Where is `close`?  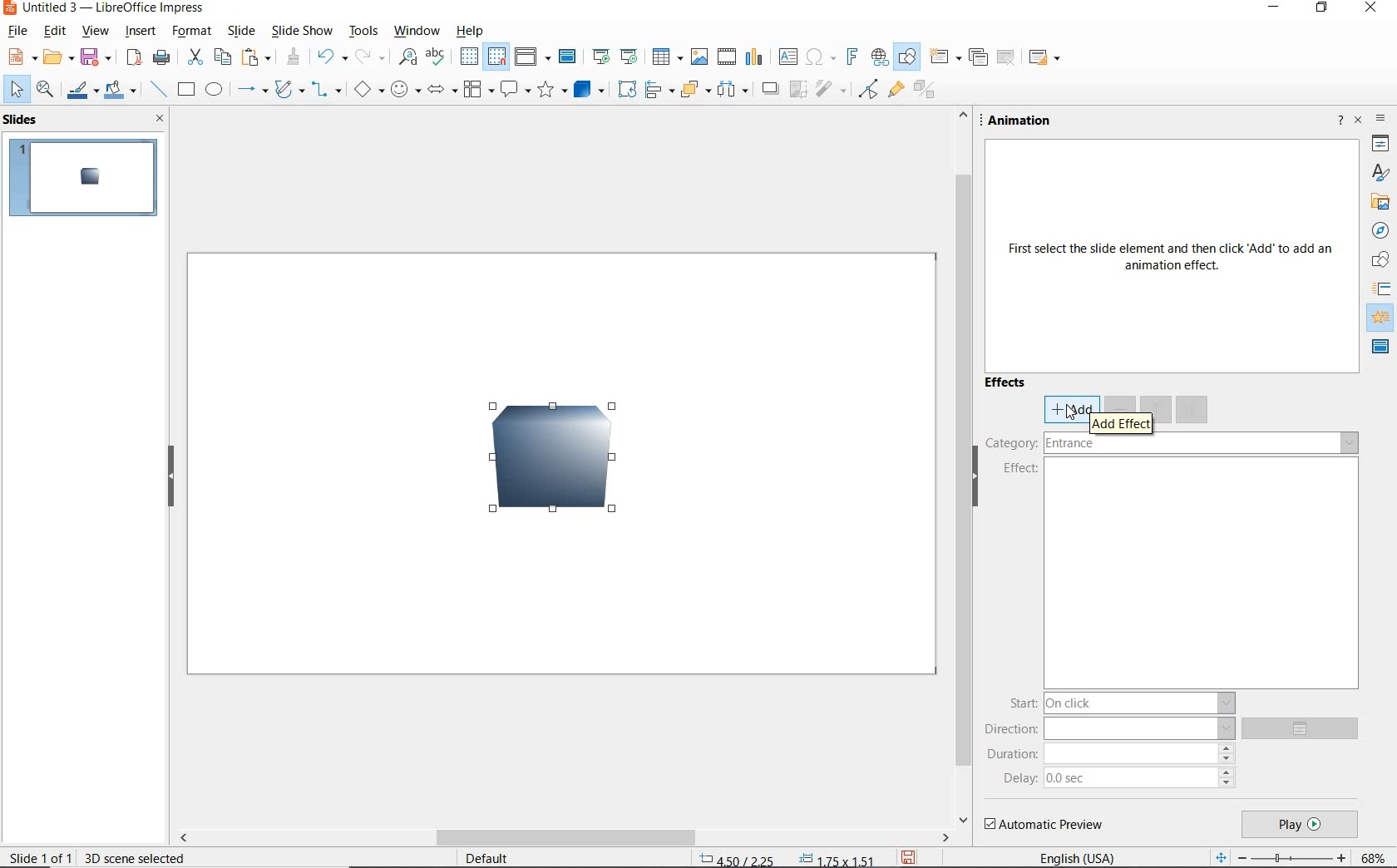
close is located at coordinates (1360, 119).